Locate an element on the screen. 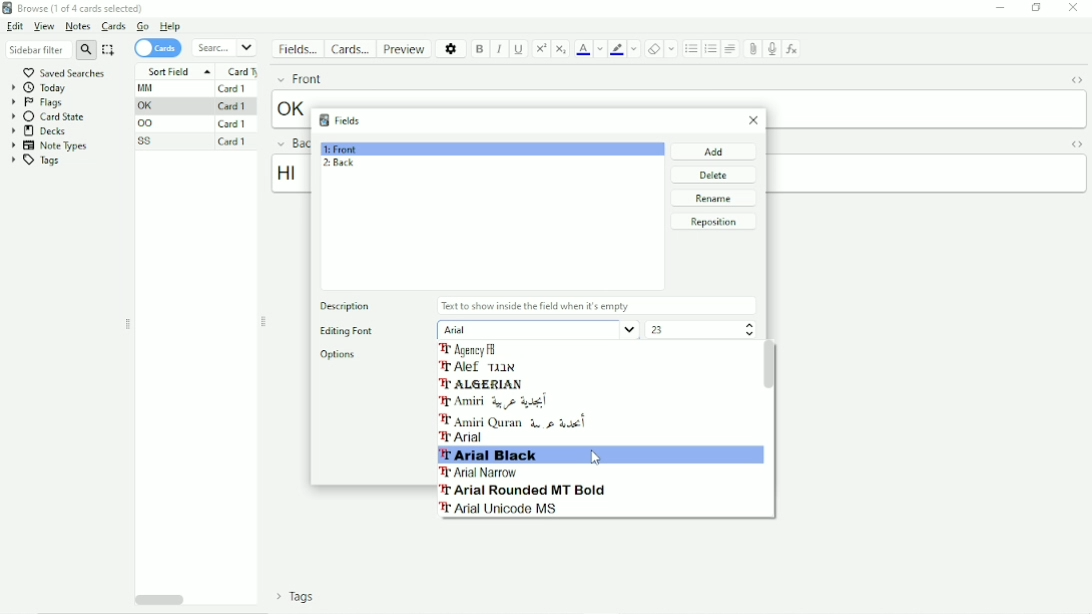  2: Back is located at coordinates (341, 163).